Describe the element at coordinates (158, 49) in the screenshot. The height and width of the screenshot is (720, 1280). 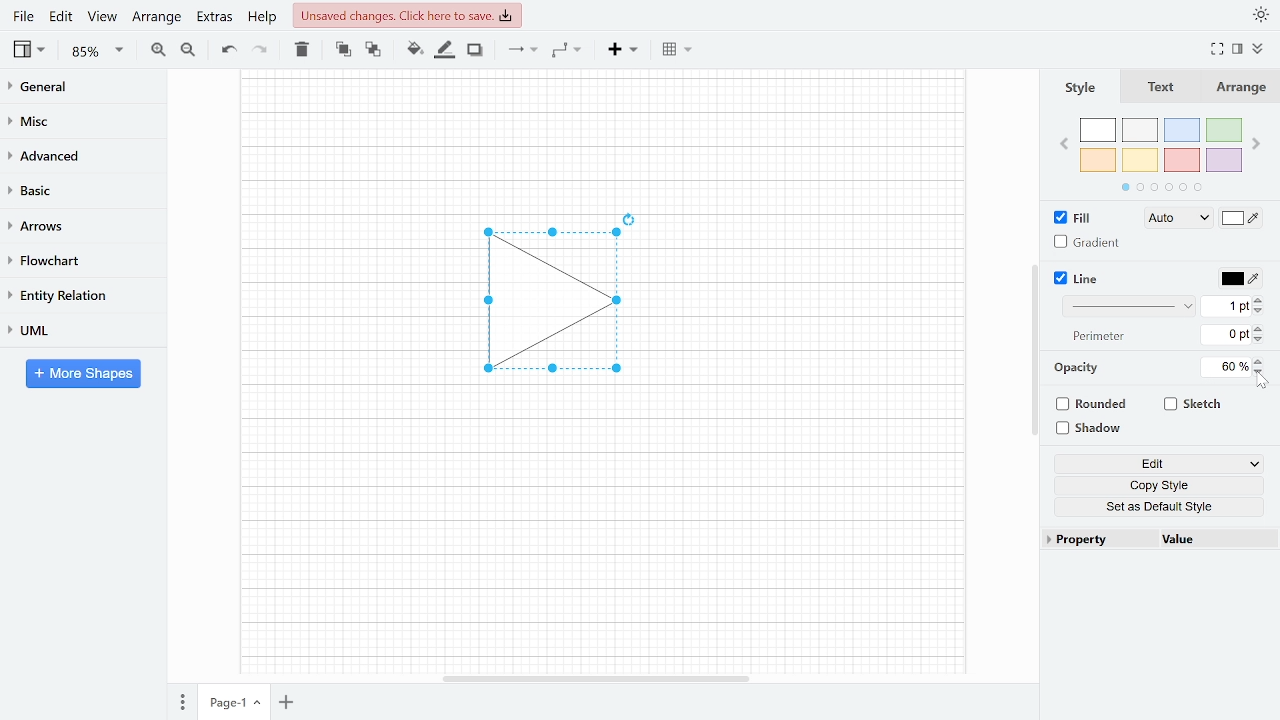
I see `Zoom in` at that location.